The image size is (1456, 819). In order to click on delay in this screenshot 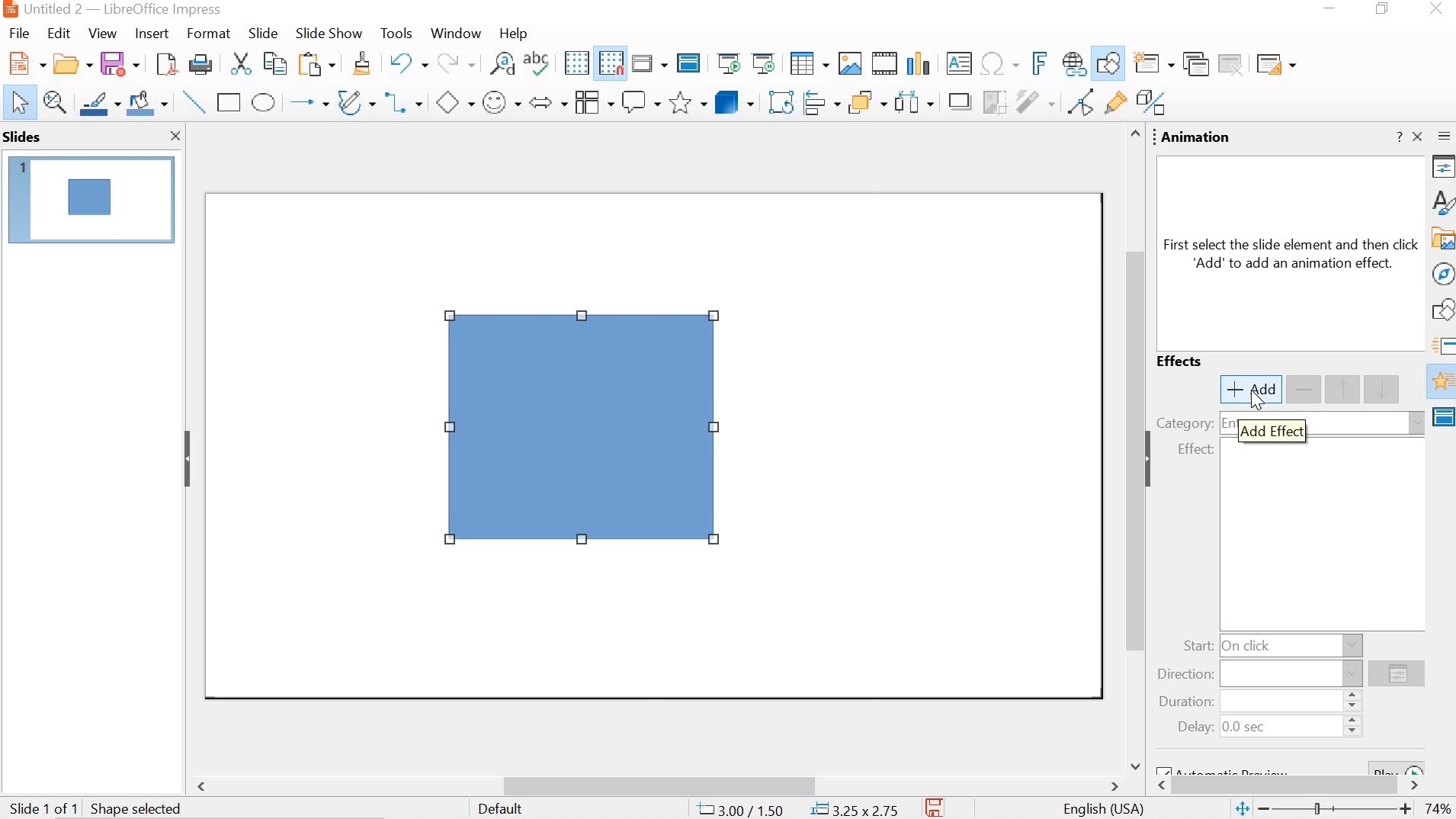, I will do `click(1263, 727)`.